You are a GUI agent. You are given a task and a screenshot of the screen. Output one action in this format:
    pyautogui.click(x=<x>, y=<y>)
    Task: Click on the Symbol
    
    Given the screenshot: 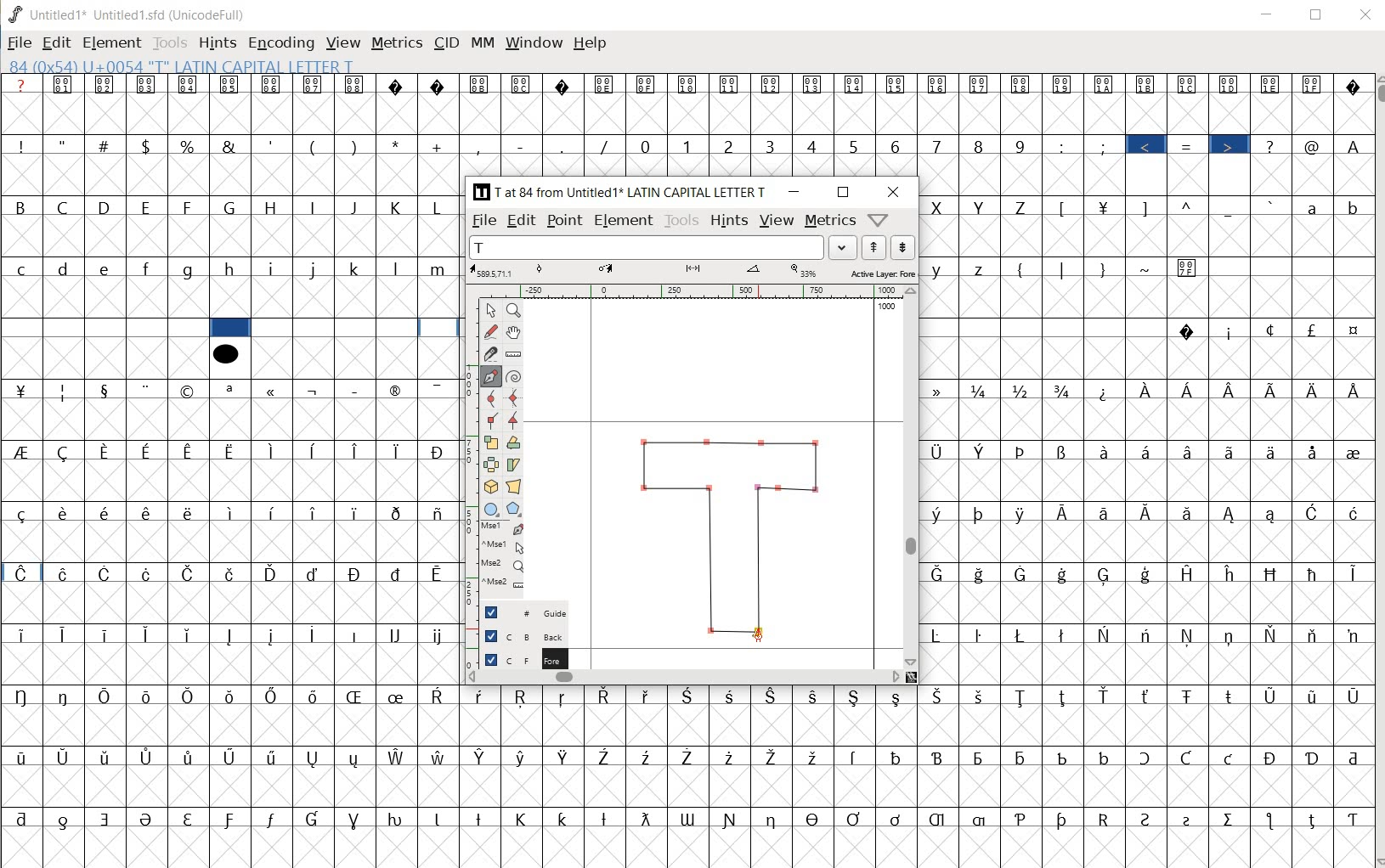 What is the action you would take?
    pyautogui.click(x=980, y=635)
    